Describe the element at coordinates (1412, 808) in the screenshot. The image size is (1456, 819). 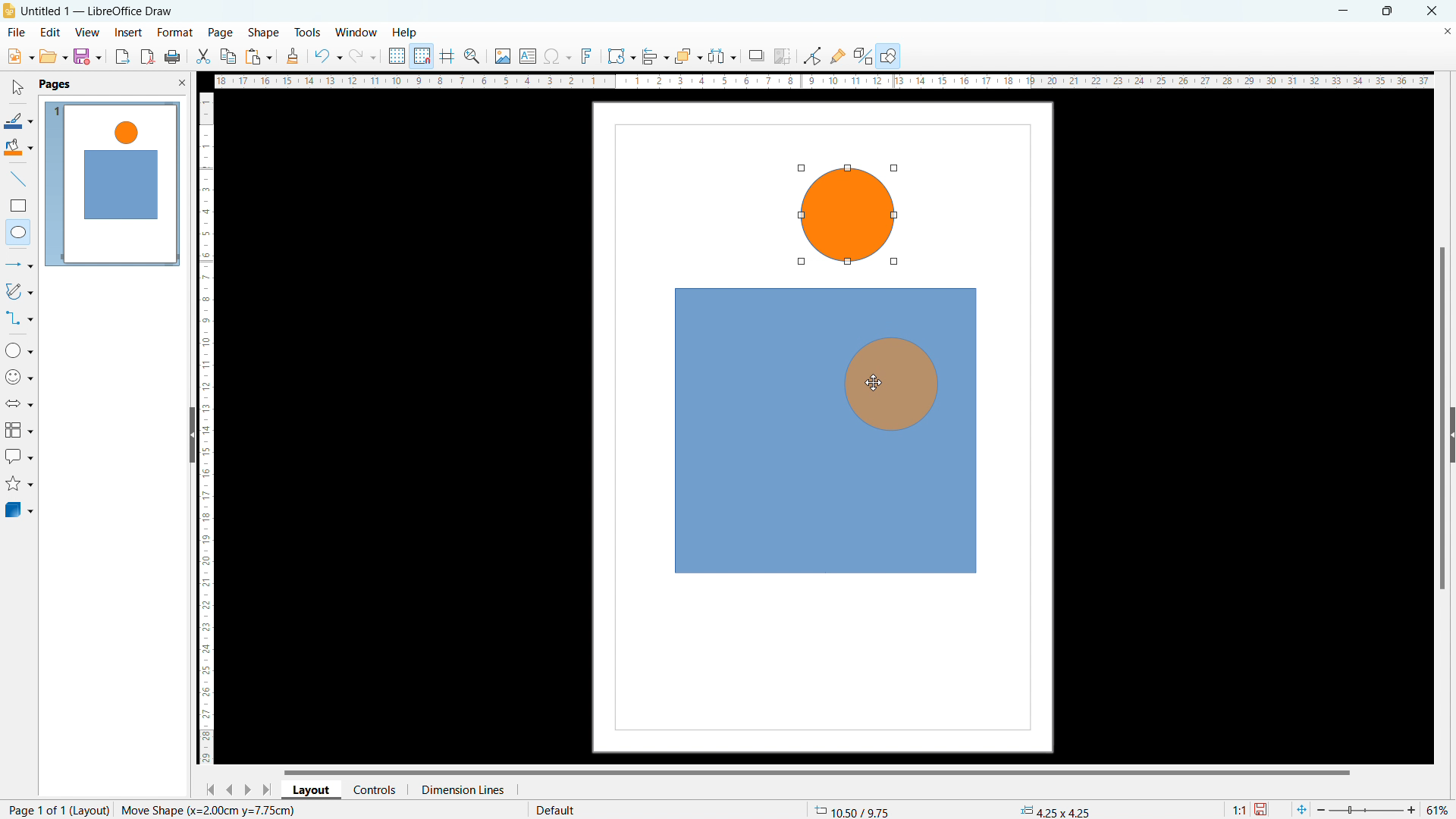
I see `zoom in` at that location.